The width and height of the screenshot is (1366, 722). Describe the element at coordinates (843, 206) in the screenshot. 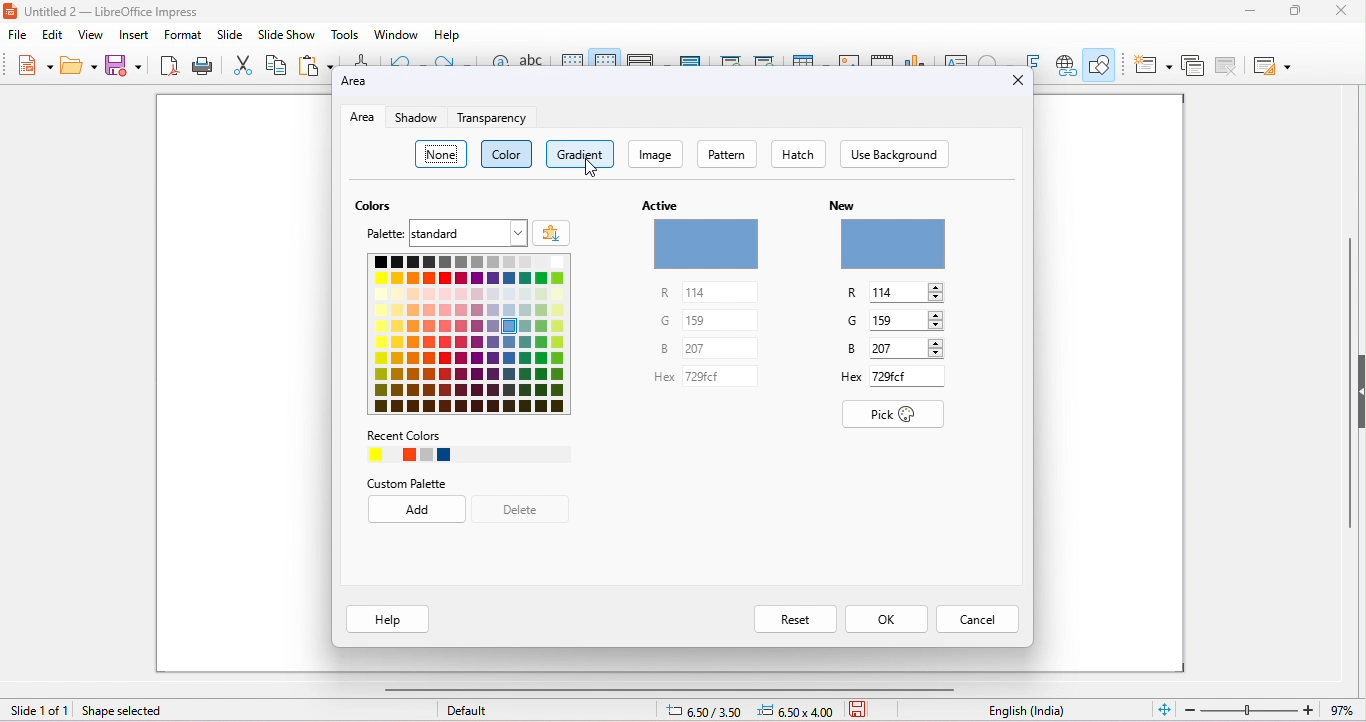

I see `new` at that location.